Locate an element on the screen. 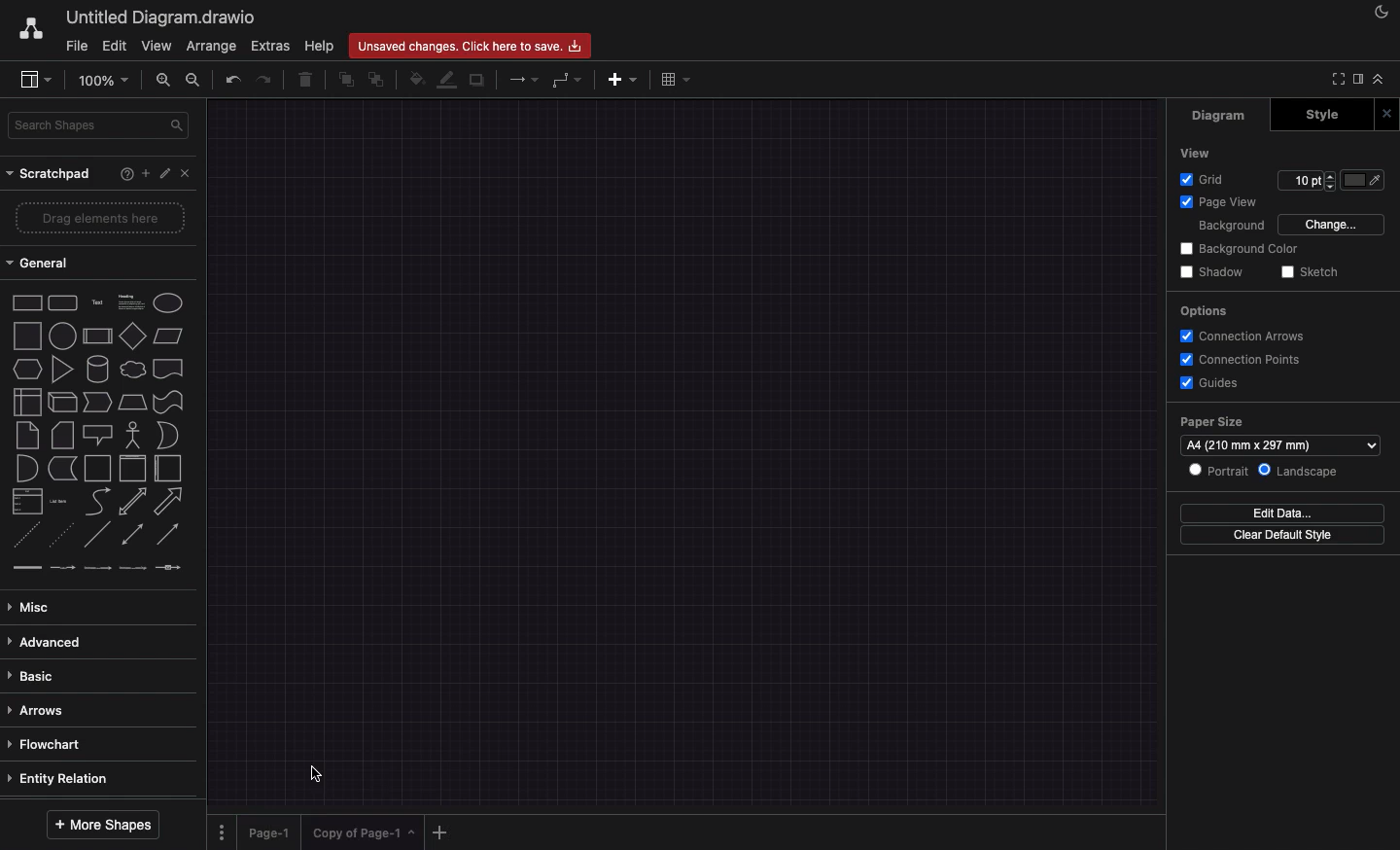  general is located at coordinates (38, 263).